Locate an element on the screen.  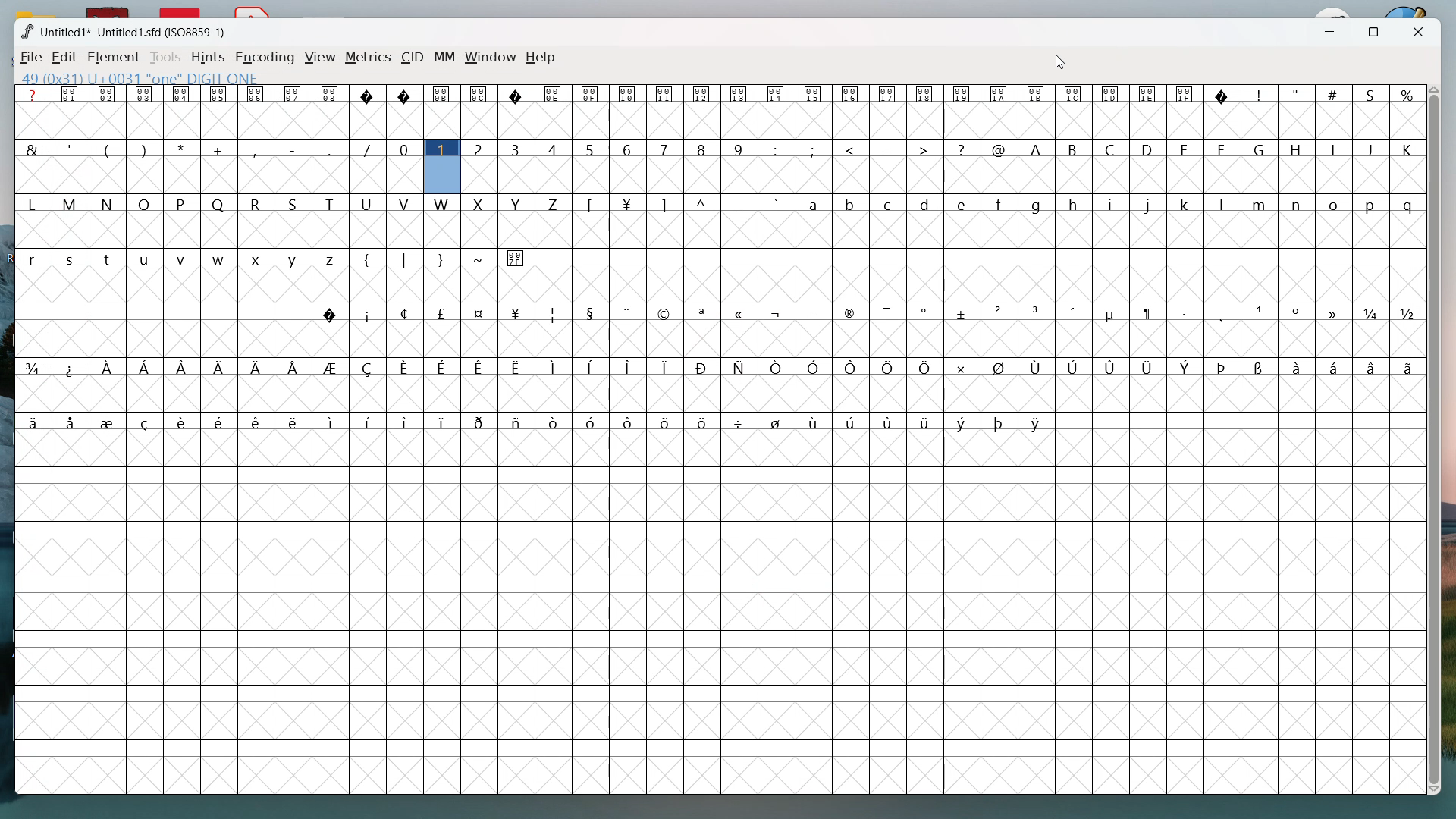
# is located at coordinates (1332, 93).